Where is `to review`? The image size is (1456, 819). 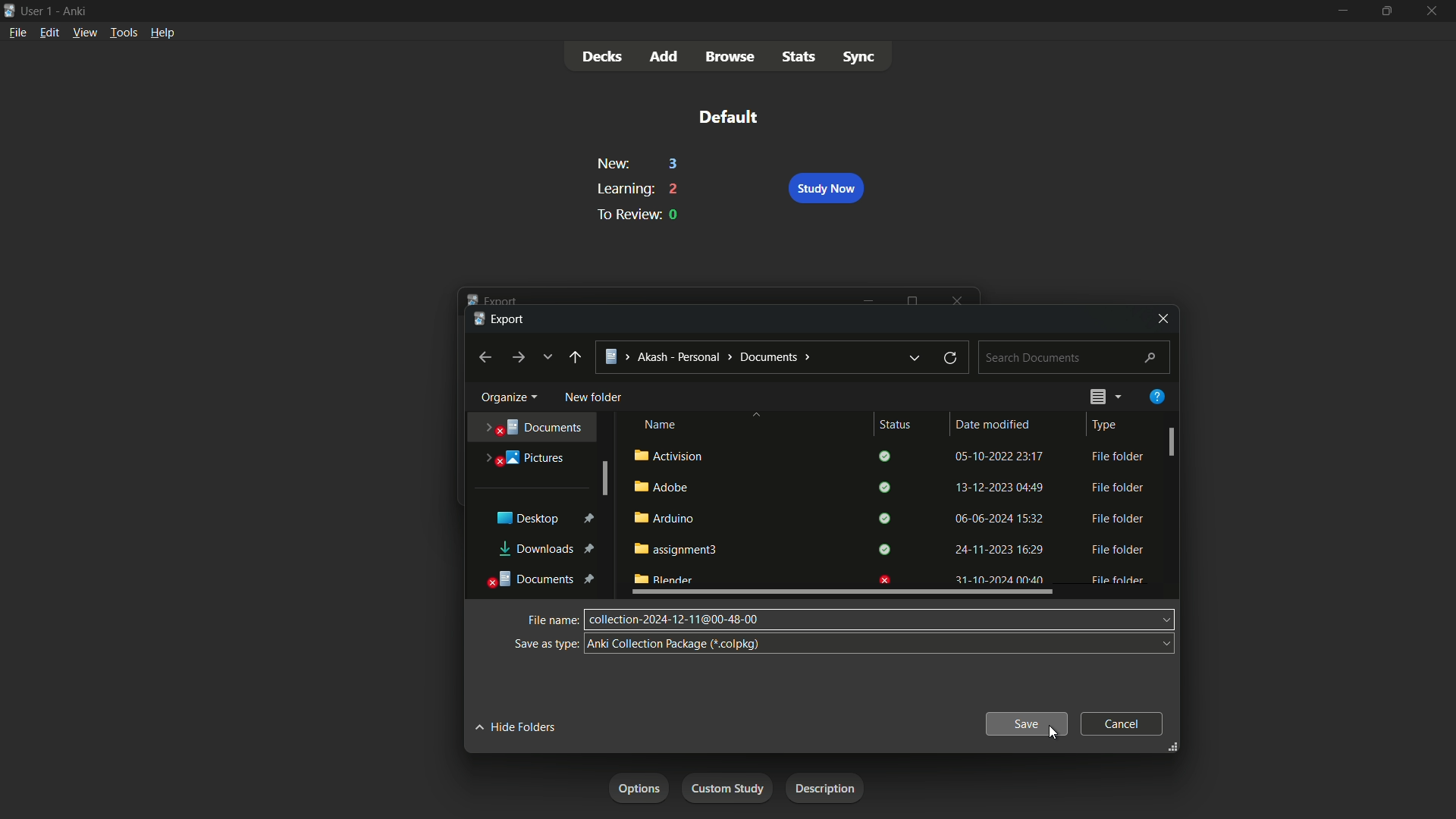
to review is located at coordinates (625, 214).